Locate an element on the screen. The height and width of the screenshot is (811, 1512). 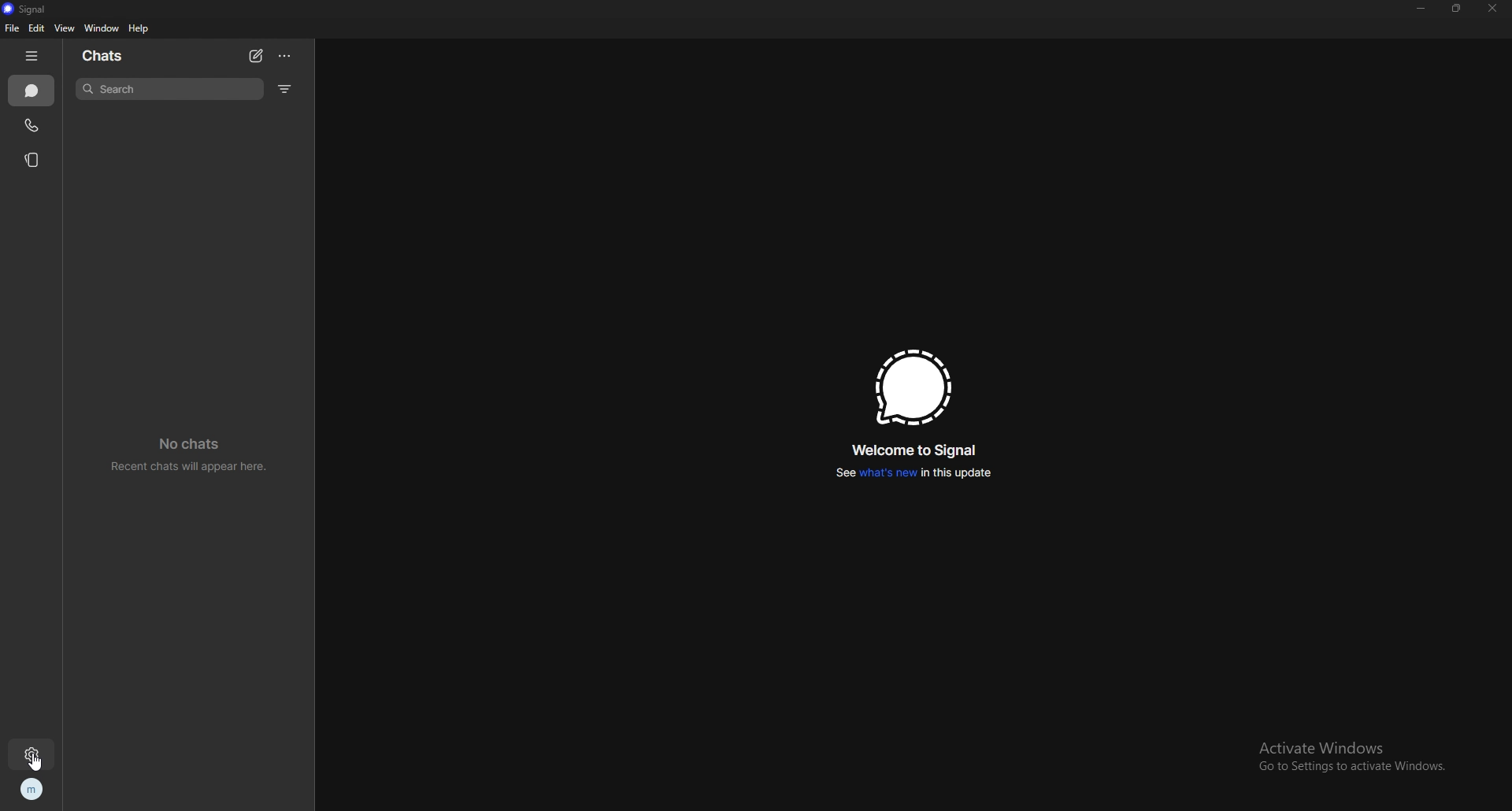
edit is located at coordinates (35, 28).